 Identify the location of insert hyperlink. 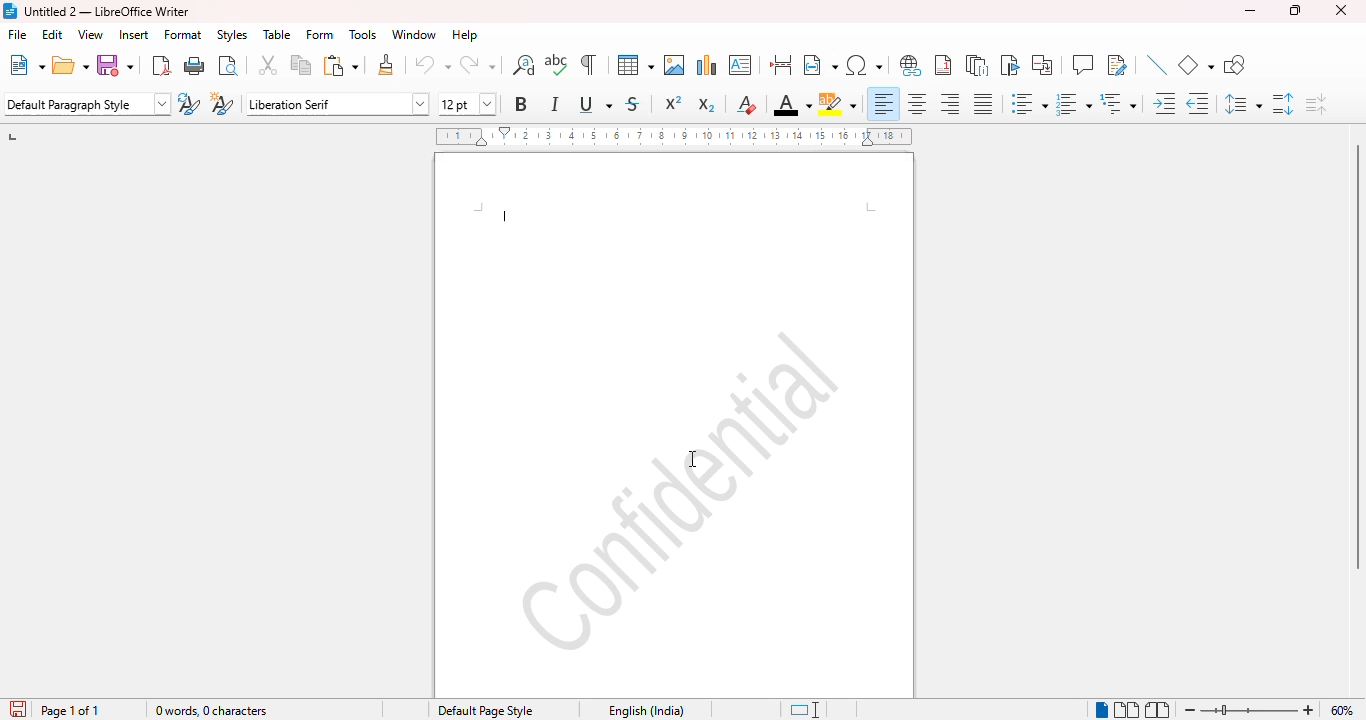
(911, 65).